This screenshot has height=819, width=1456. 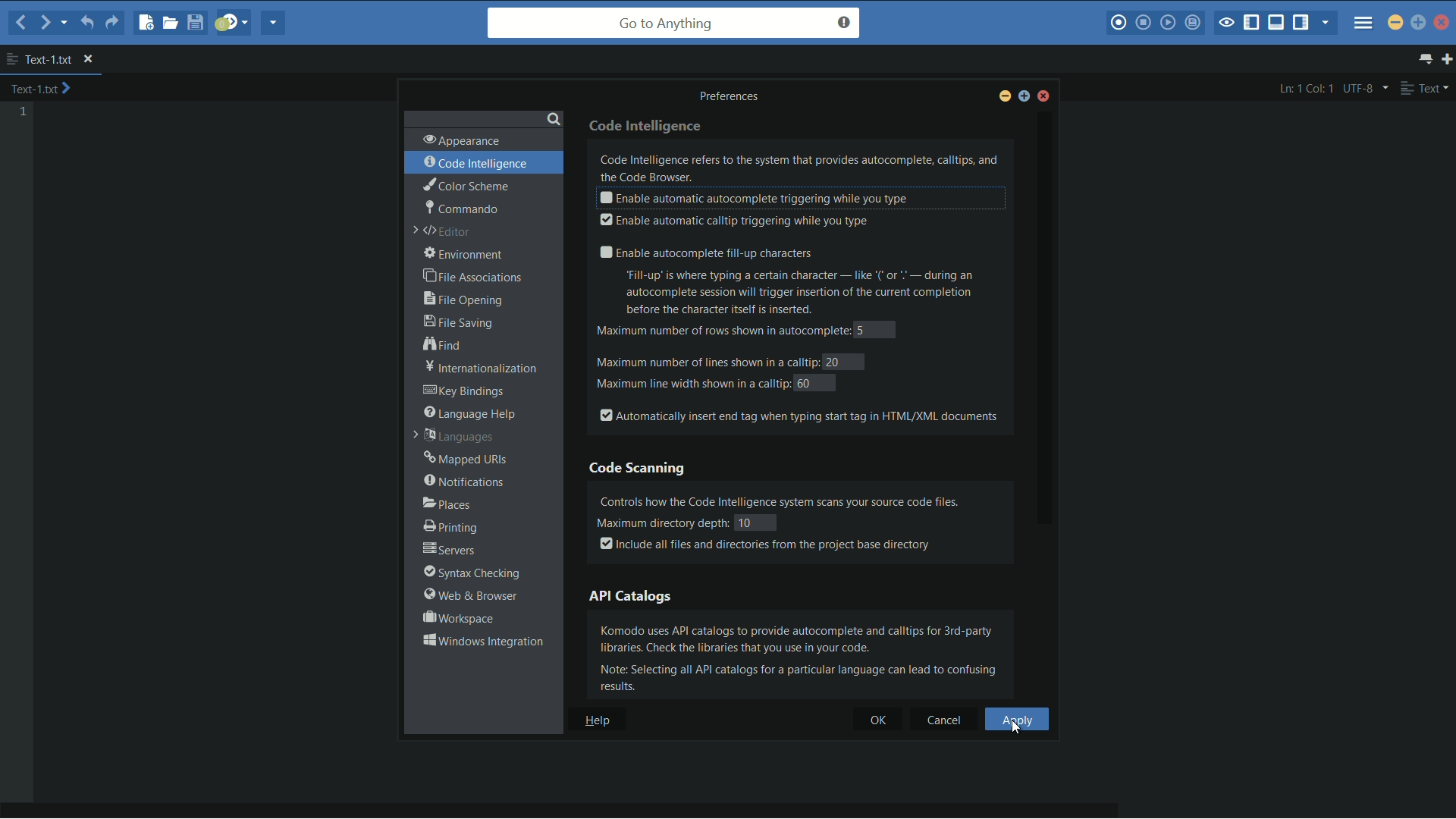 I want to click on menu, so click(x=1363, y=18).